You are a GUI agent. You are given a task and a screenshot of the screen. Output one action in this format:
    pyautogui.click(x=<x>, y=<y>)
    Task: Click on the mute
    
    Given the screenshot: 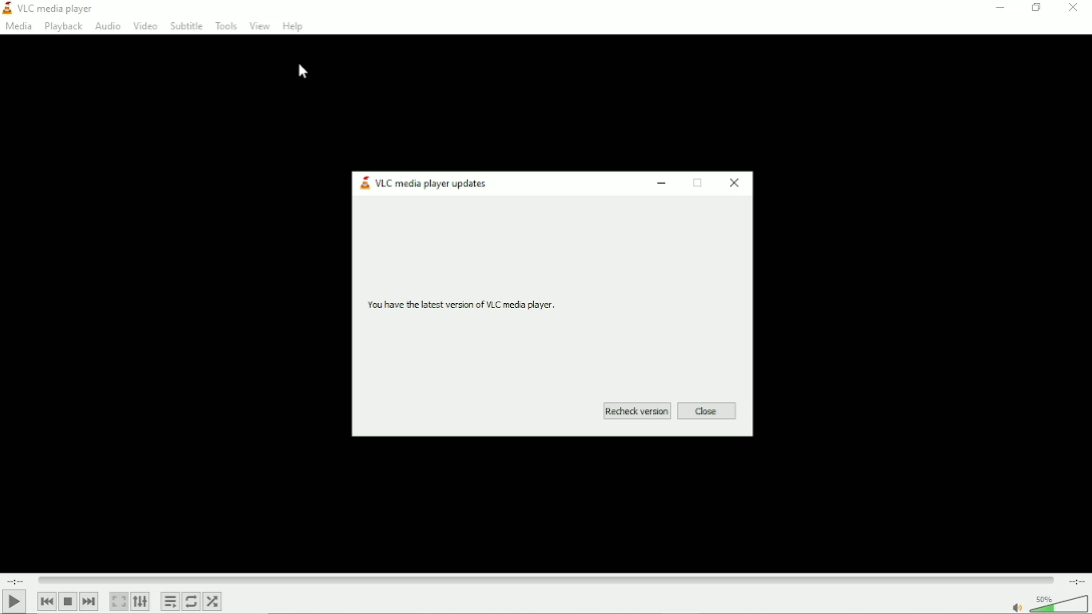 What is the action you would take?
    pyautogui.click(x=1016, y=607)
    